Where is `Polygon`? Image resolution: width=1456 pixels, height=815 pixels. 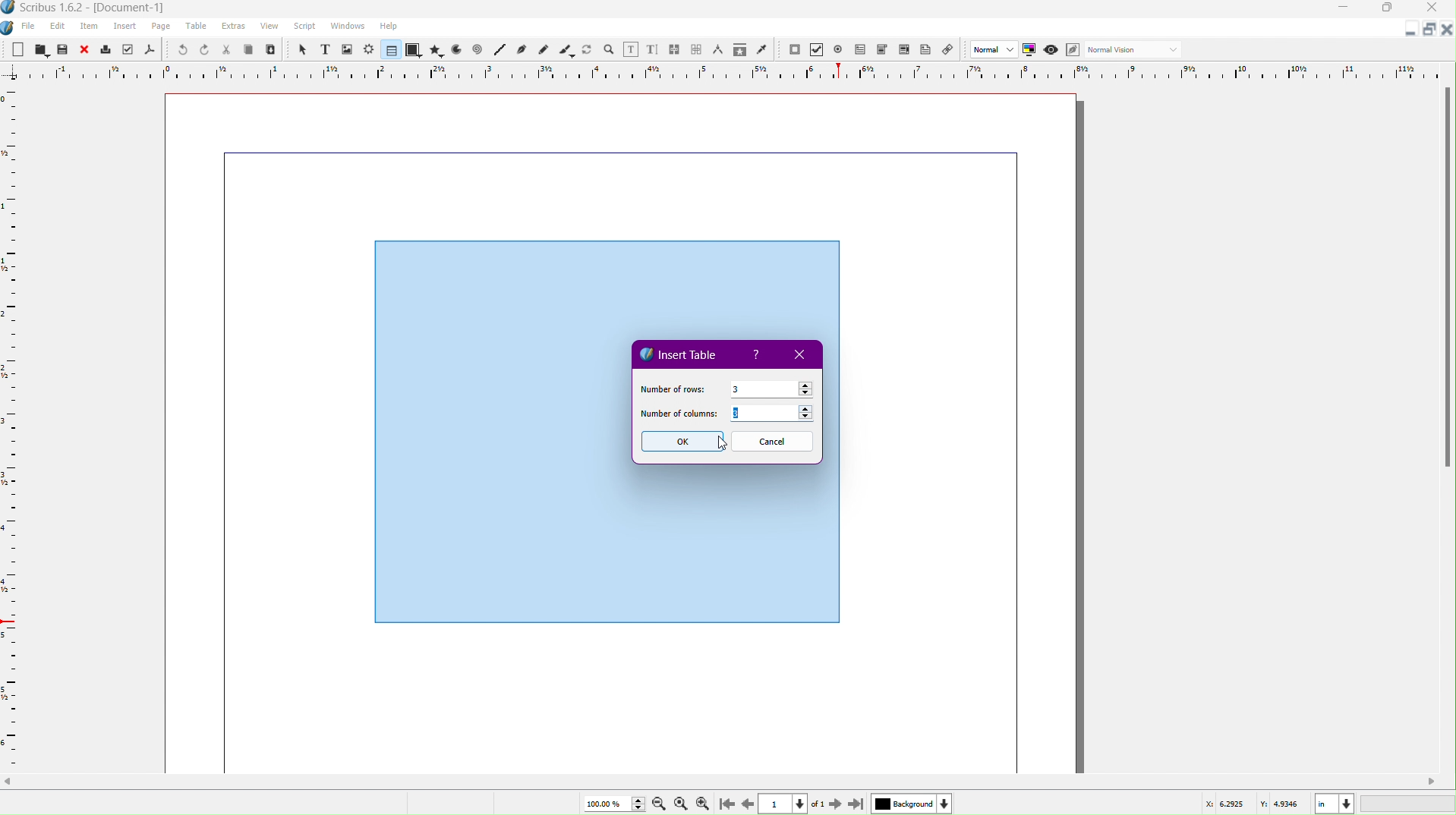
Polygon is located at coordinates (437, 50).